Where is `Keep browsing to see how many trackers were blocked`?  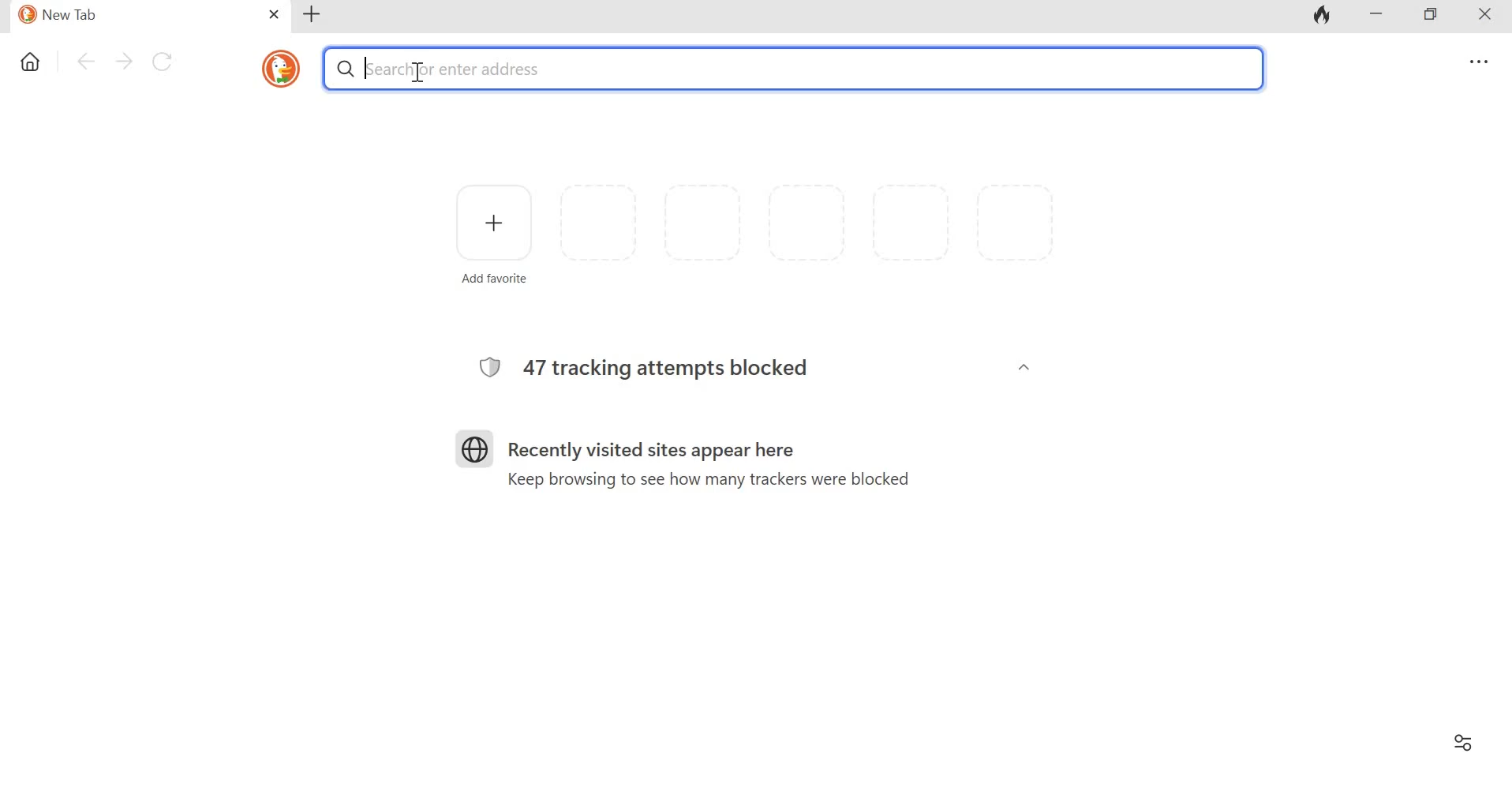 Keep browsing to see how many trackers were blocked is located at coordinates (700, 481).